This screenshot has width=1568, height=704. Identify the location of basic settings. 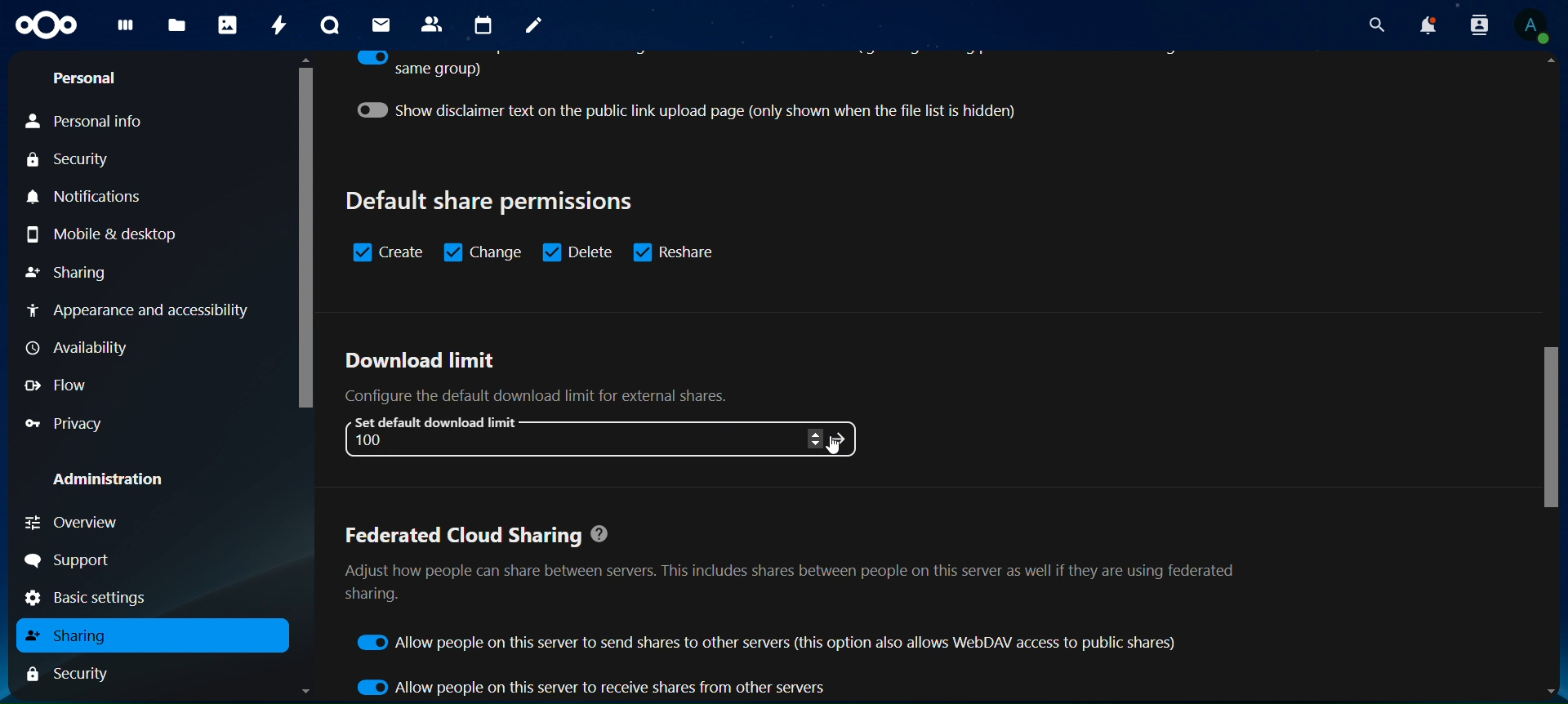
(100, 599).